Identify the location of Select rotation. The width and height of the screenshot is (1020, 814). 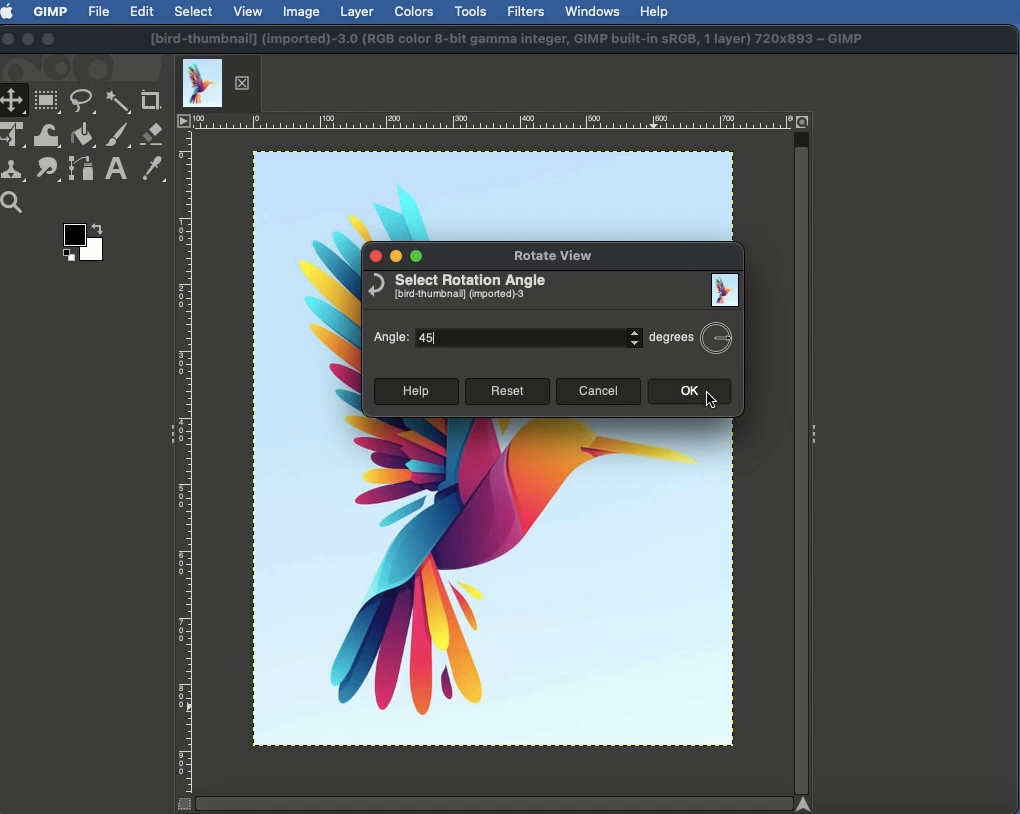
(457, 288).